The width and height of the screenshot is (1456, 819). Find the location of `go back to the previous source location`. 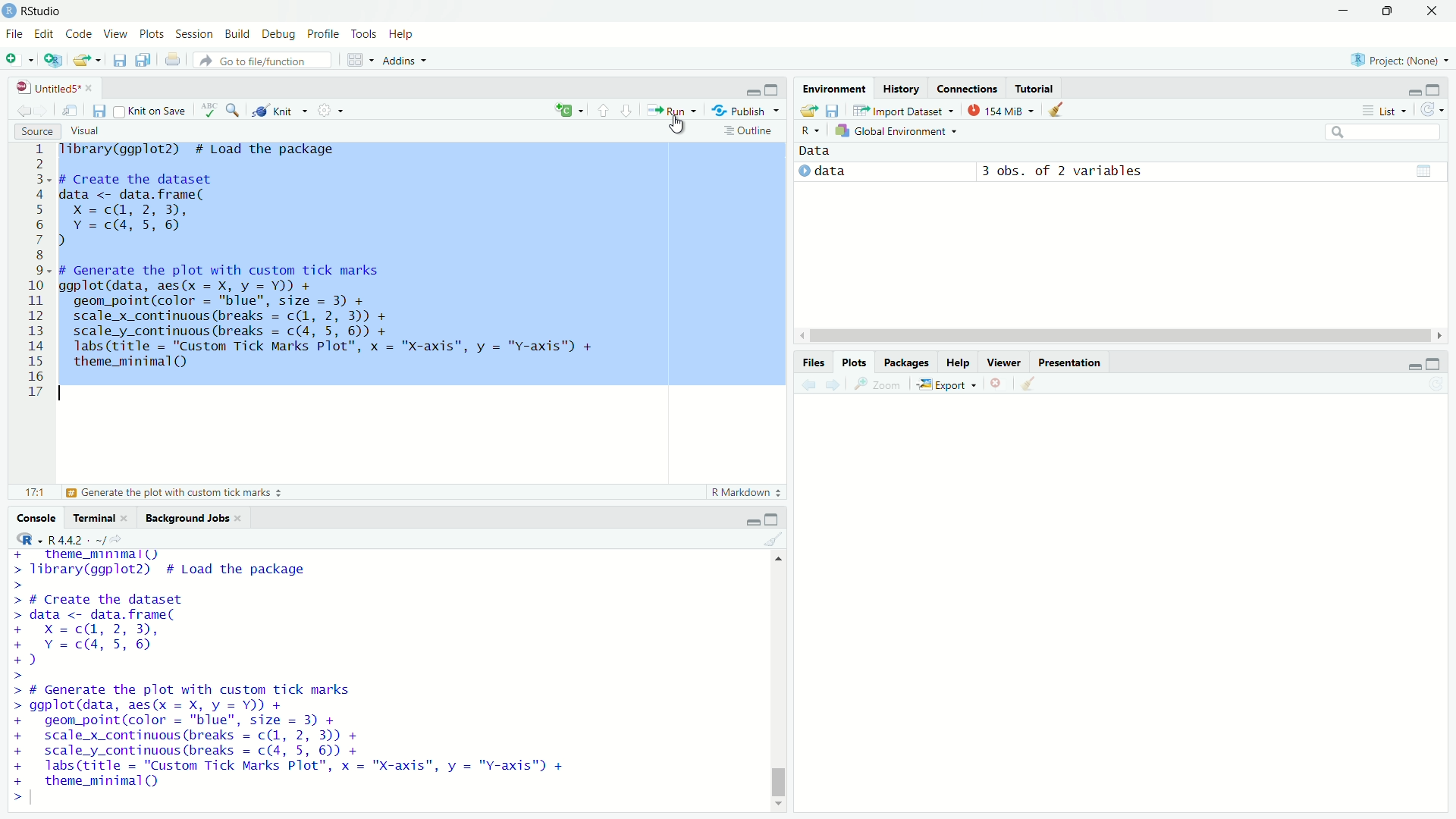

go back to the previous source location is located at coordinates (17, 109).